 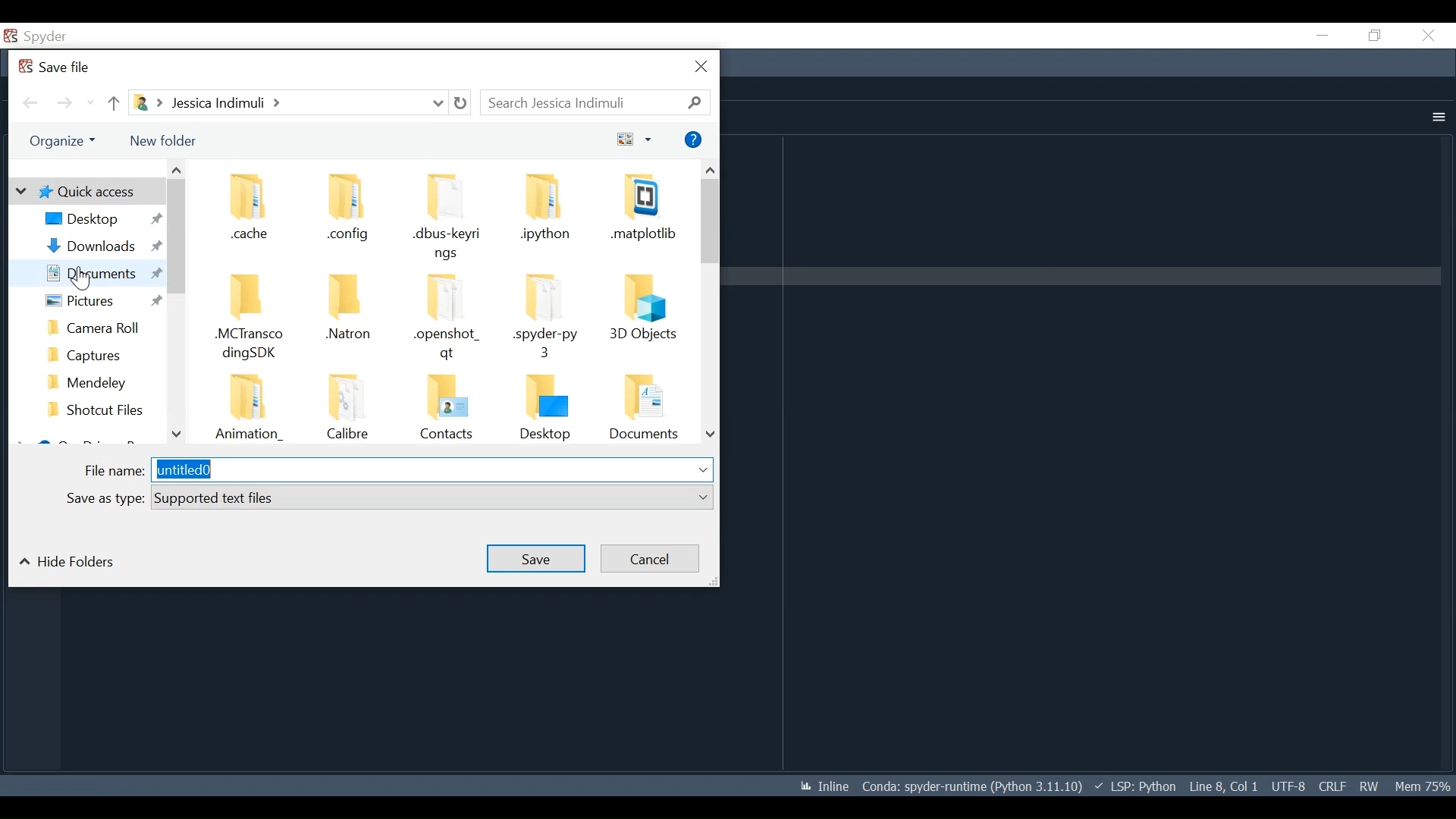 I want to click on File Permissions, so click(x=1368, y=786).